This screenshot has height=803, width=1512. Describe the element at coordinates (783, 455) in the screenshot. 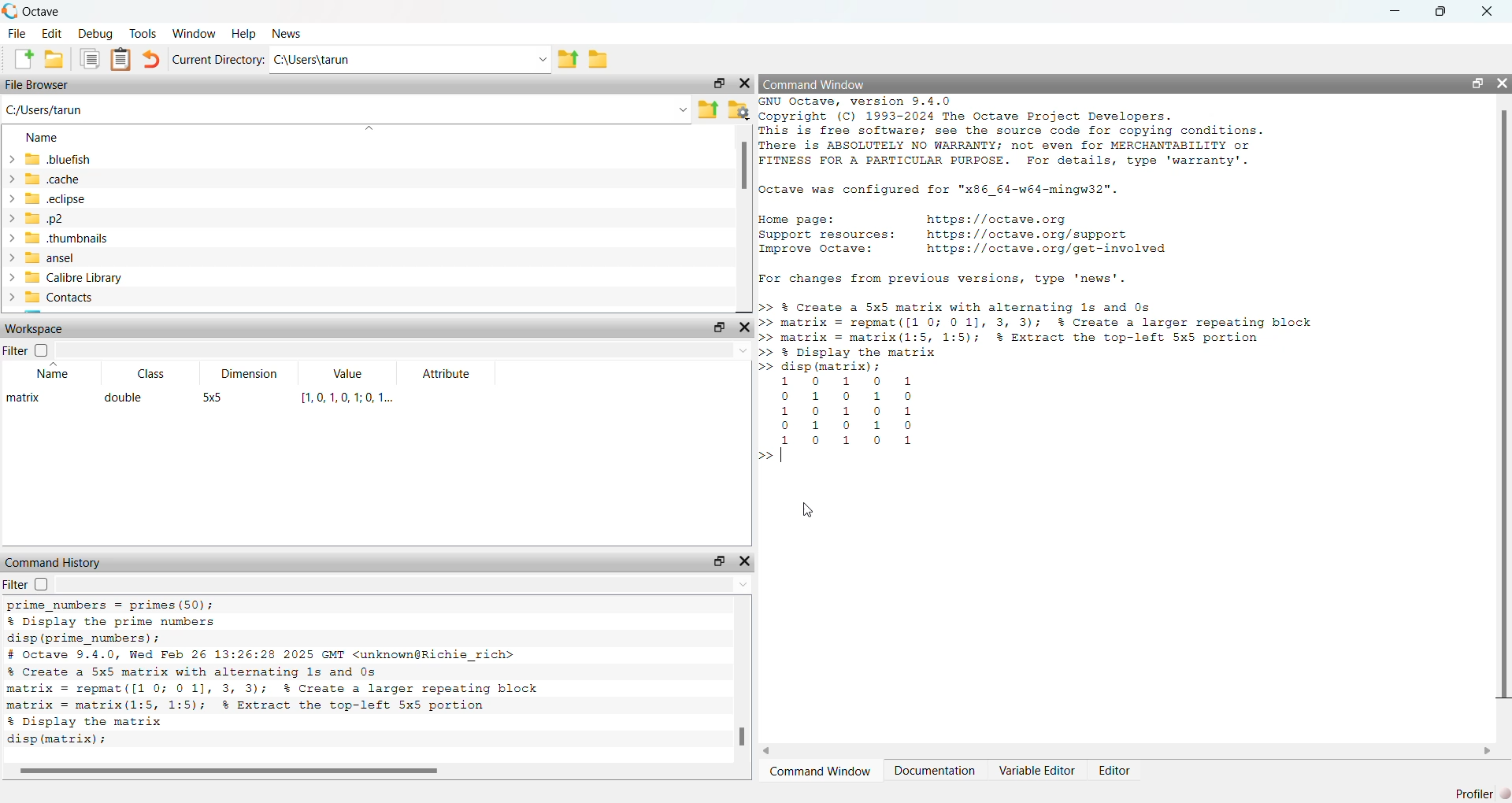

I see `typing indicator` at that location.